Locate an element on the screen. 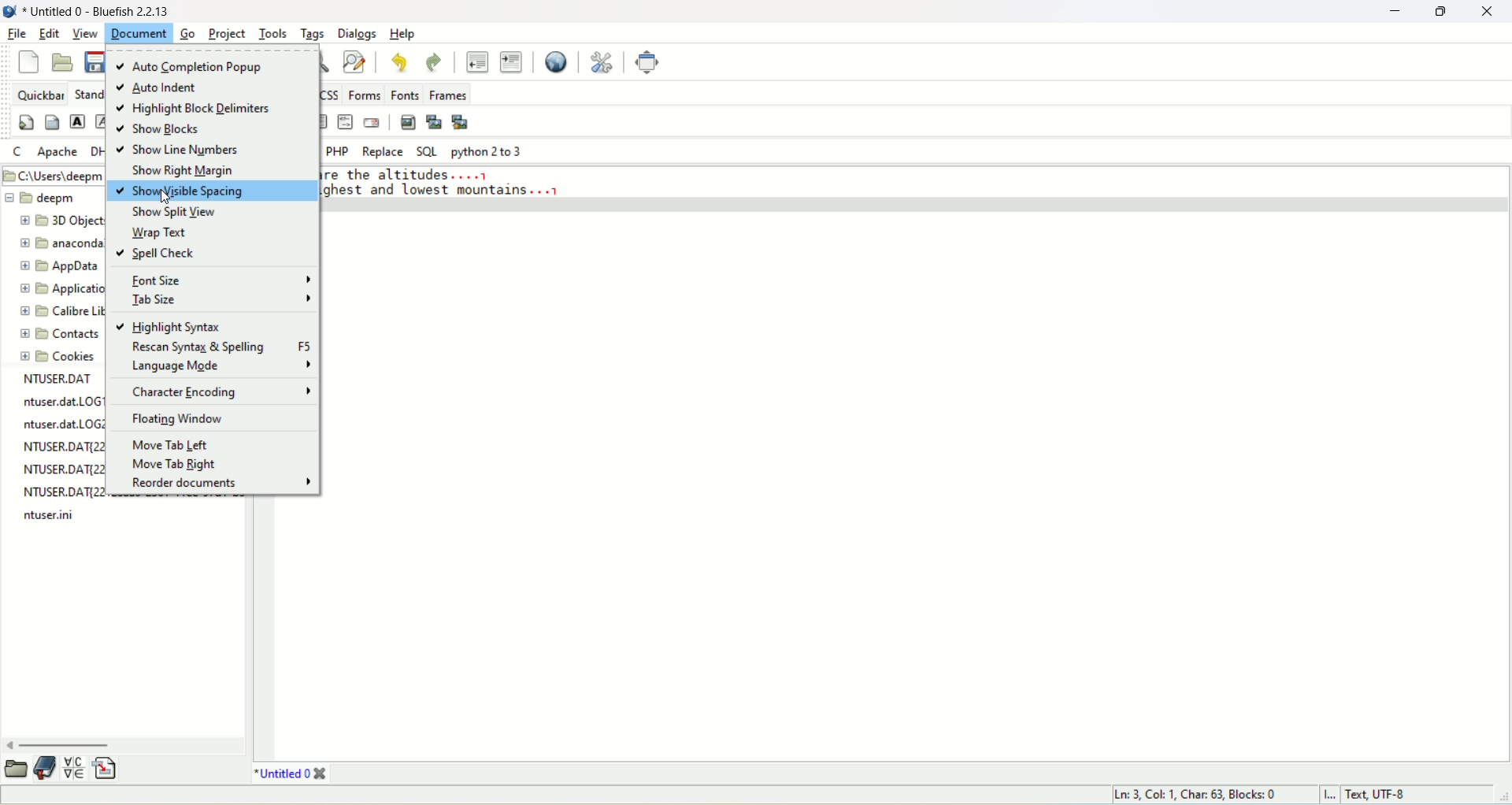  font size is located at coordinates (220, 281).